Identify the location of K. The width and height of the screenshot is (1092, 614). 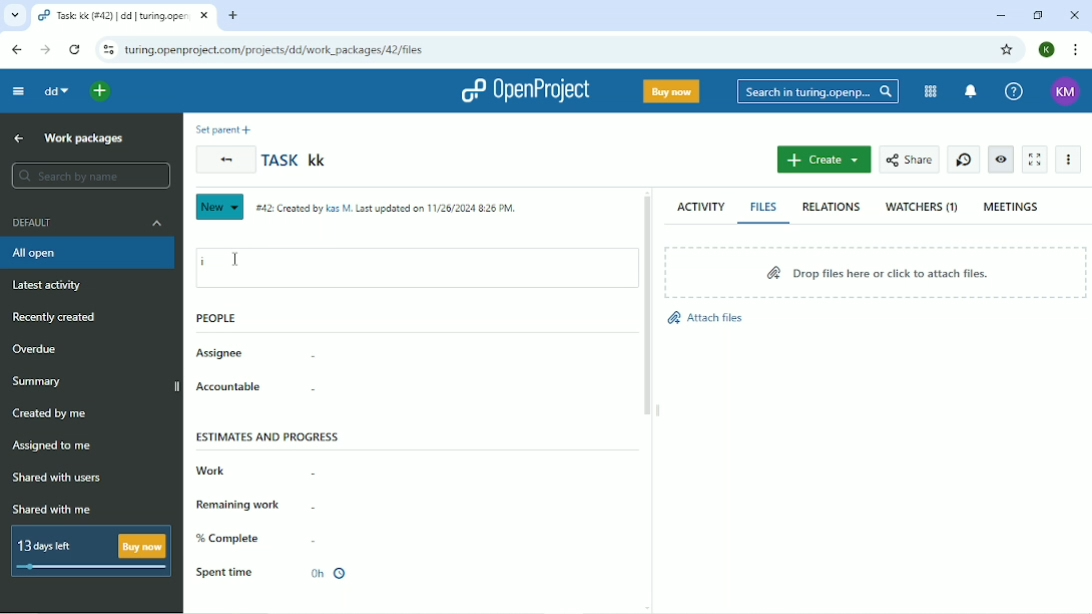
(1046, 49).